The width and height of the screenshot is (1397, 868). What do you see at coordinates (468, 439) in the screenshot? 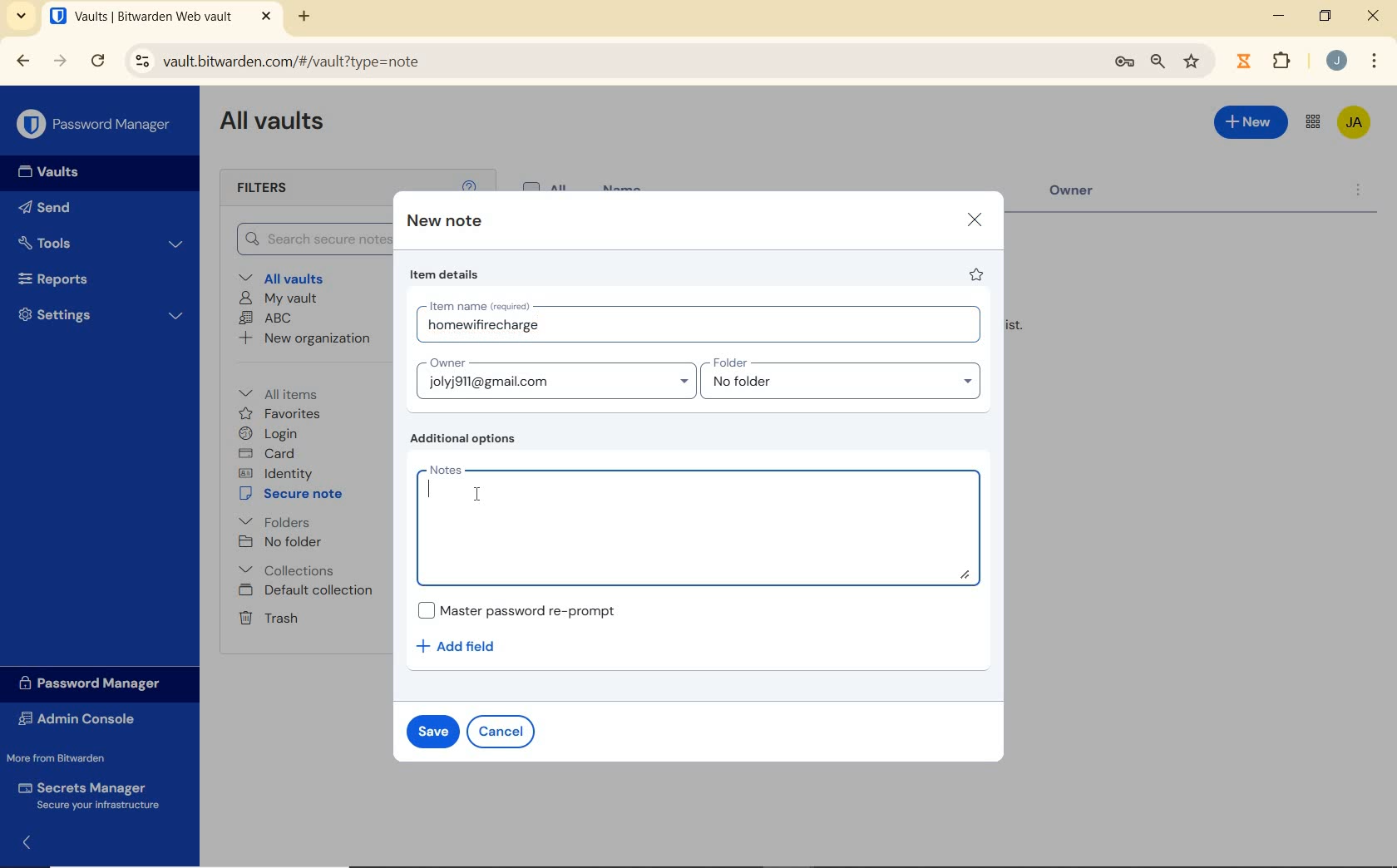
I see `additional options` at bounding box center [468, 439].